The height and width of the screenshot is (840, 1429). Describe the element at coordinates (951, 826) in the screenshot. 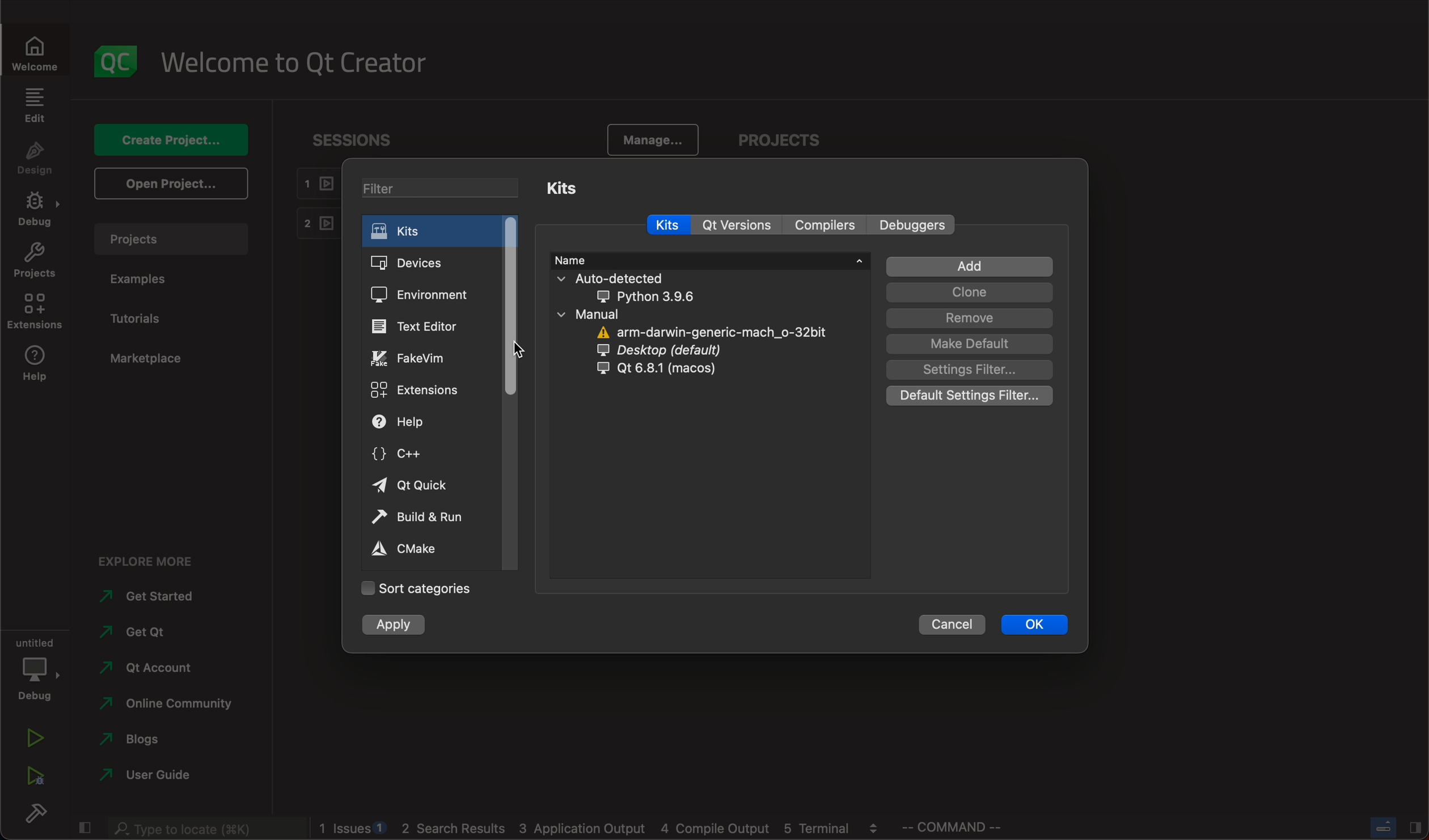

I see `command` at that location.